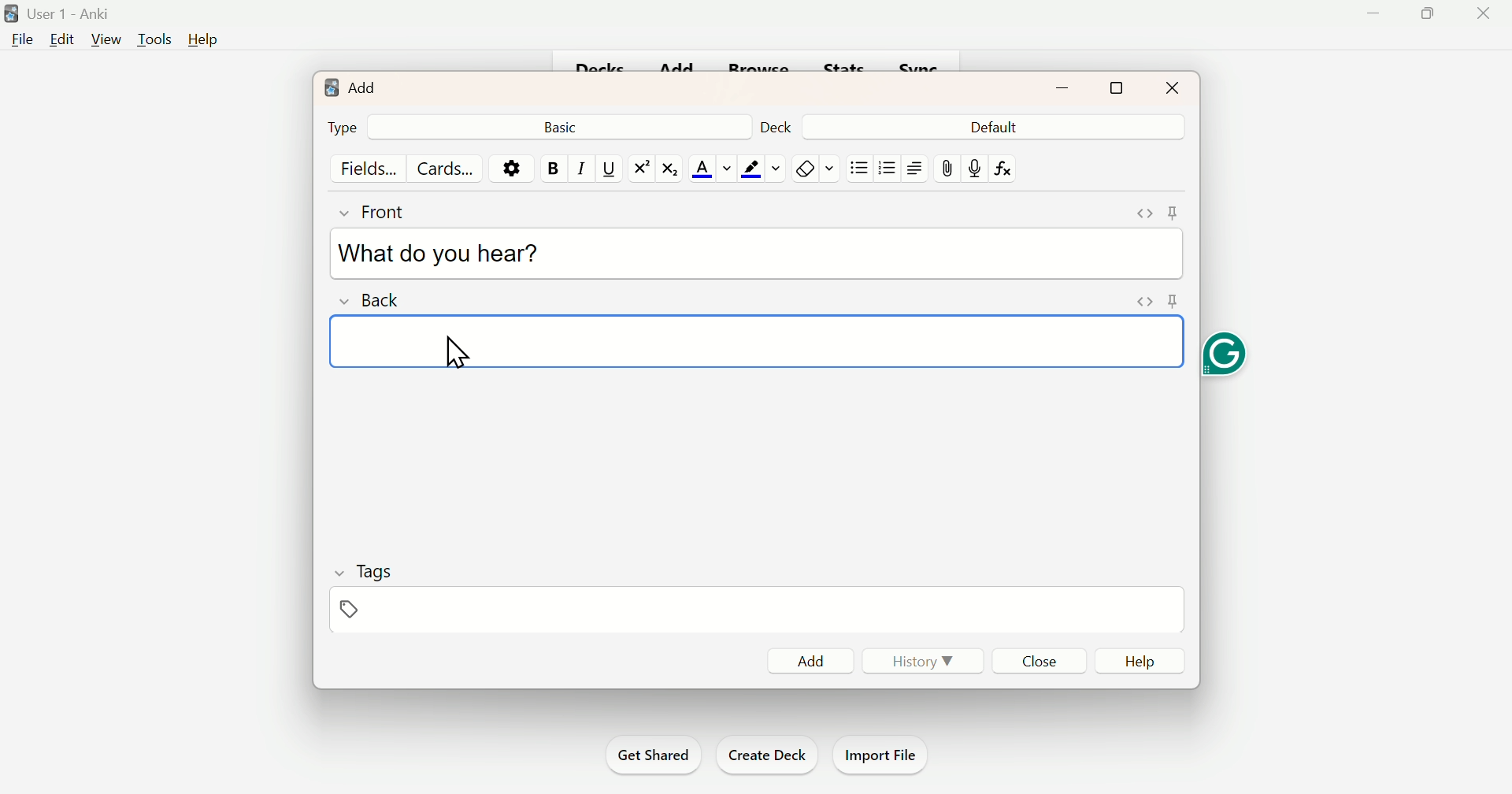 This screenshot has width=1512, height=794. I want to click on Basic, so click(566, 127).